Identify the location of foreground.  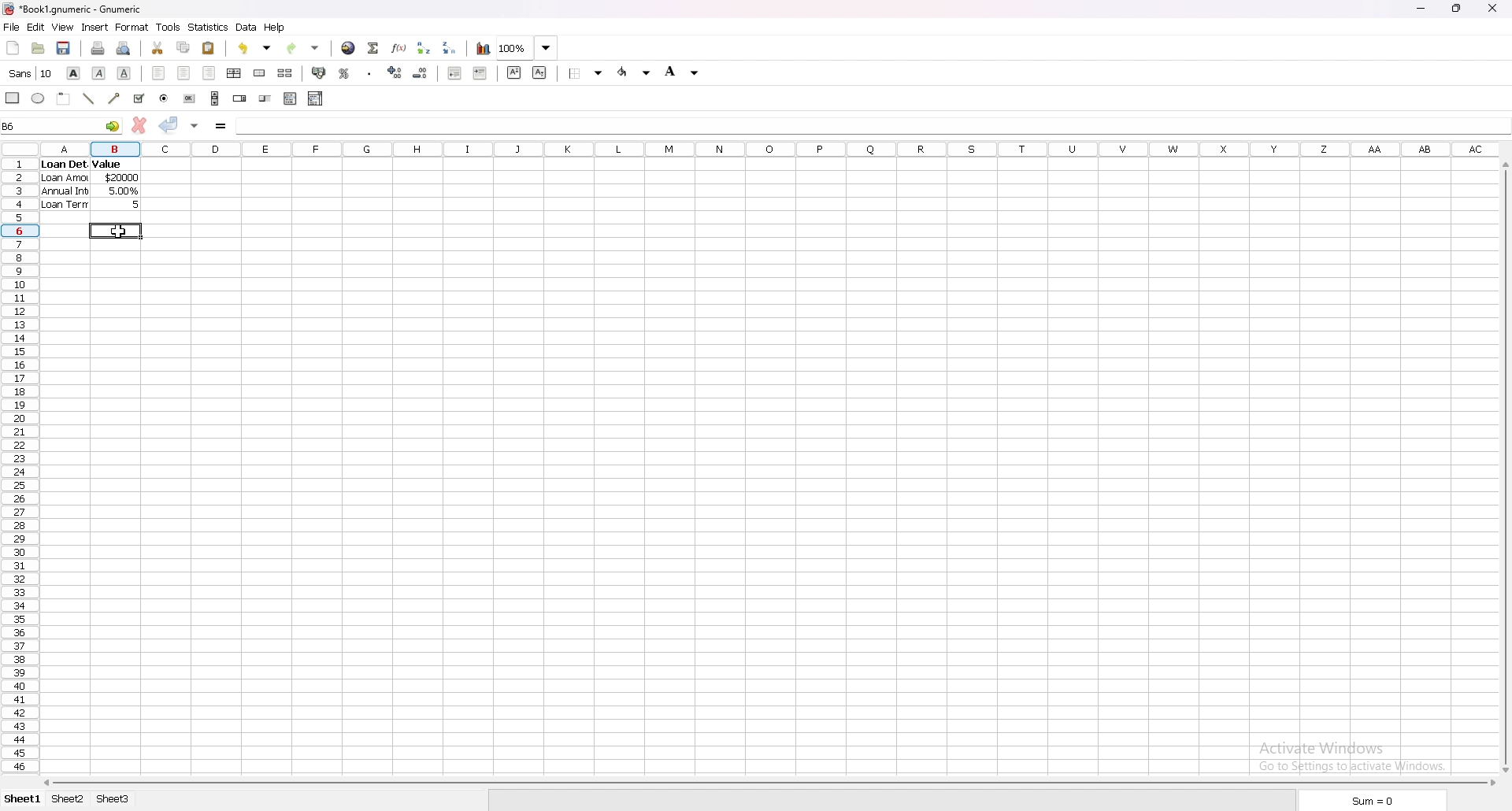
(635, 72).